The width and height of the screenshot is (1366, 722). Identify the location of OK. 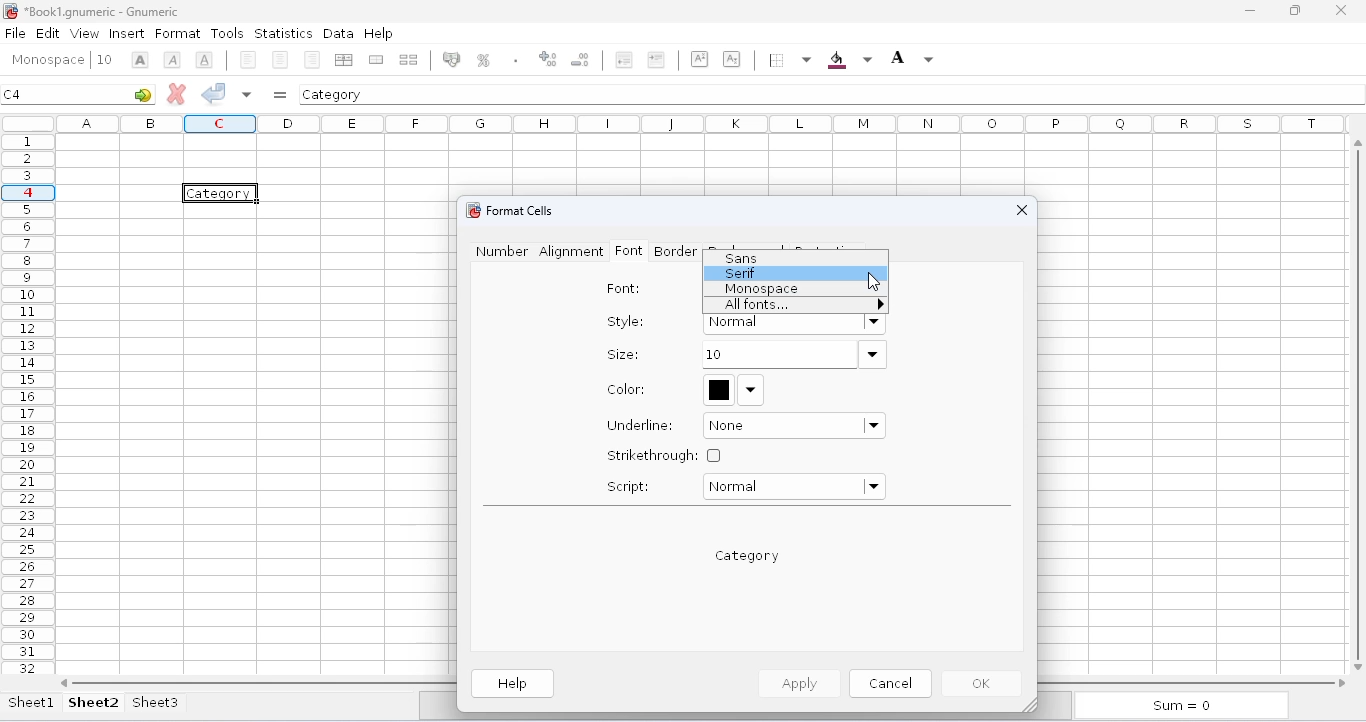
(984, 684).